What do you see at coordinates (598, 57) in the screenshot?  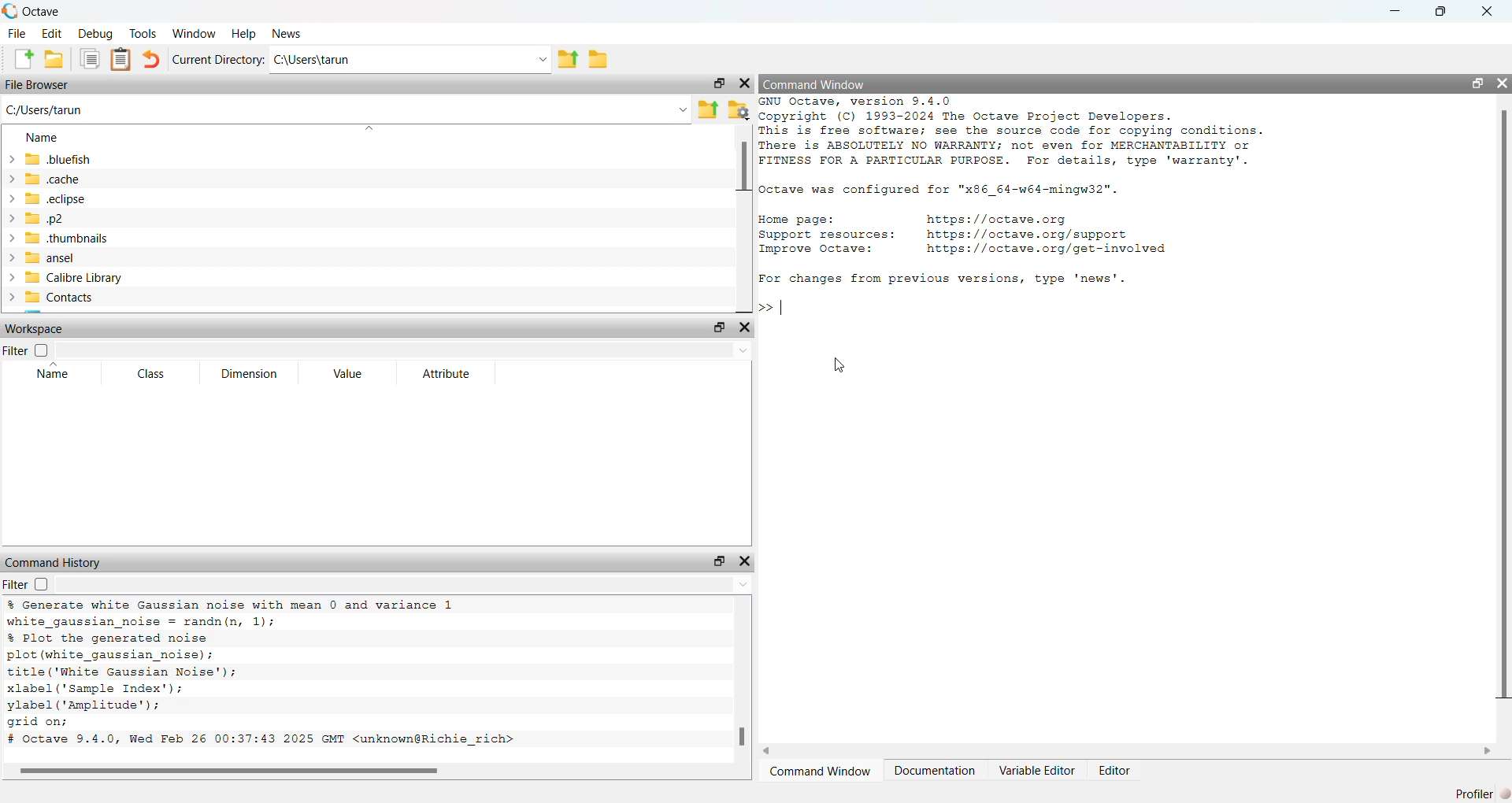 I see `folder` at bounding box center [598, 57].